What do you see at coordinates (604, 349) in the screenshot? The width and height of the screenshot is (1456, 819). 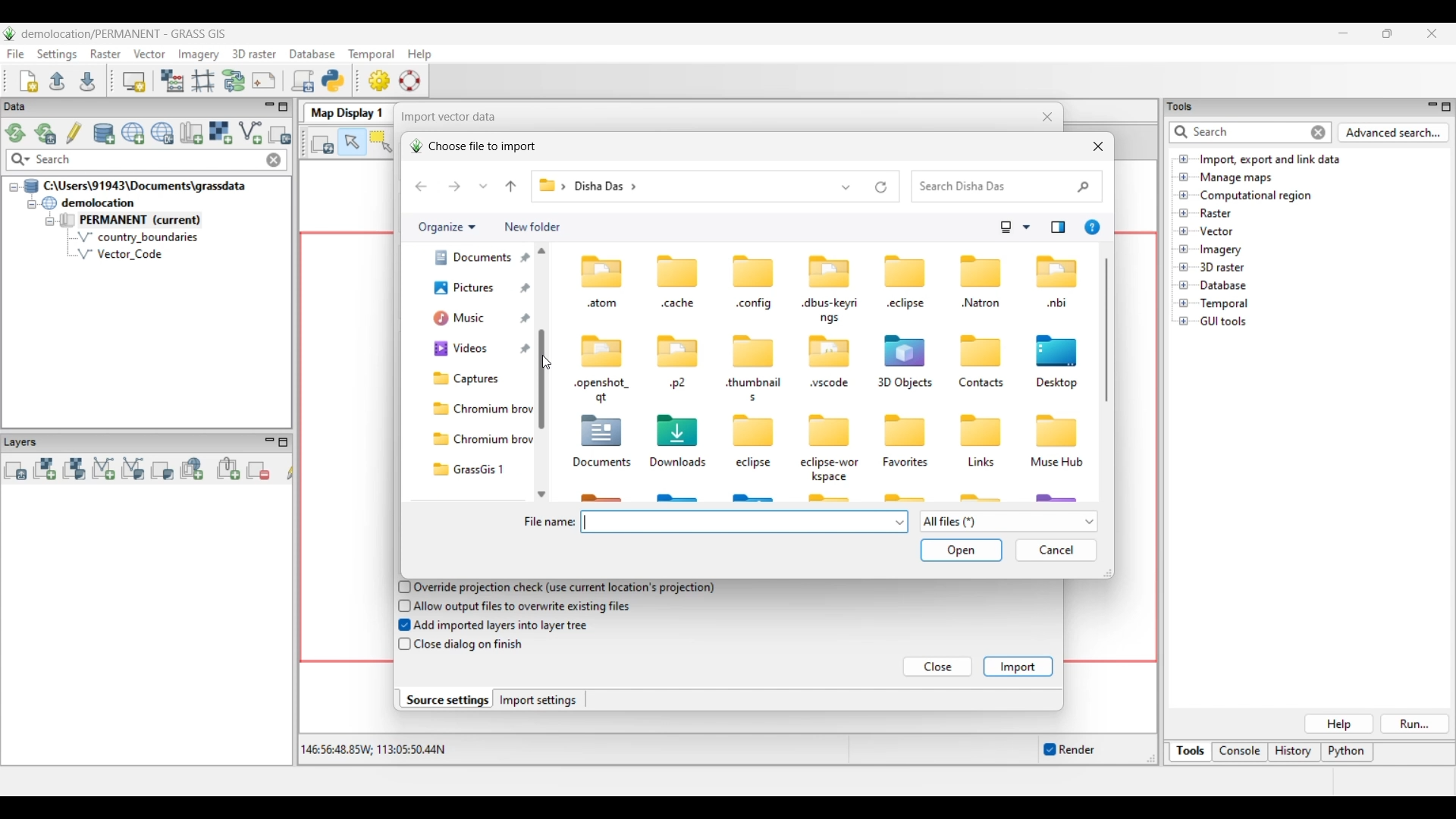 I see `icon` at bounding box center [604, 349].